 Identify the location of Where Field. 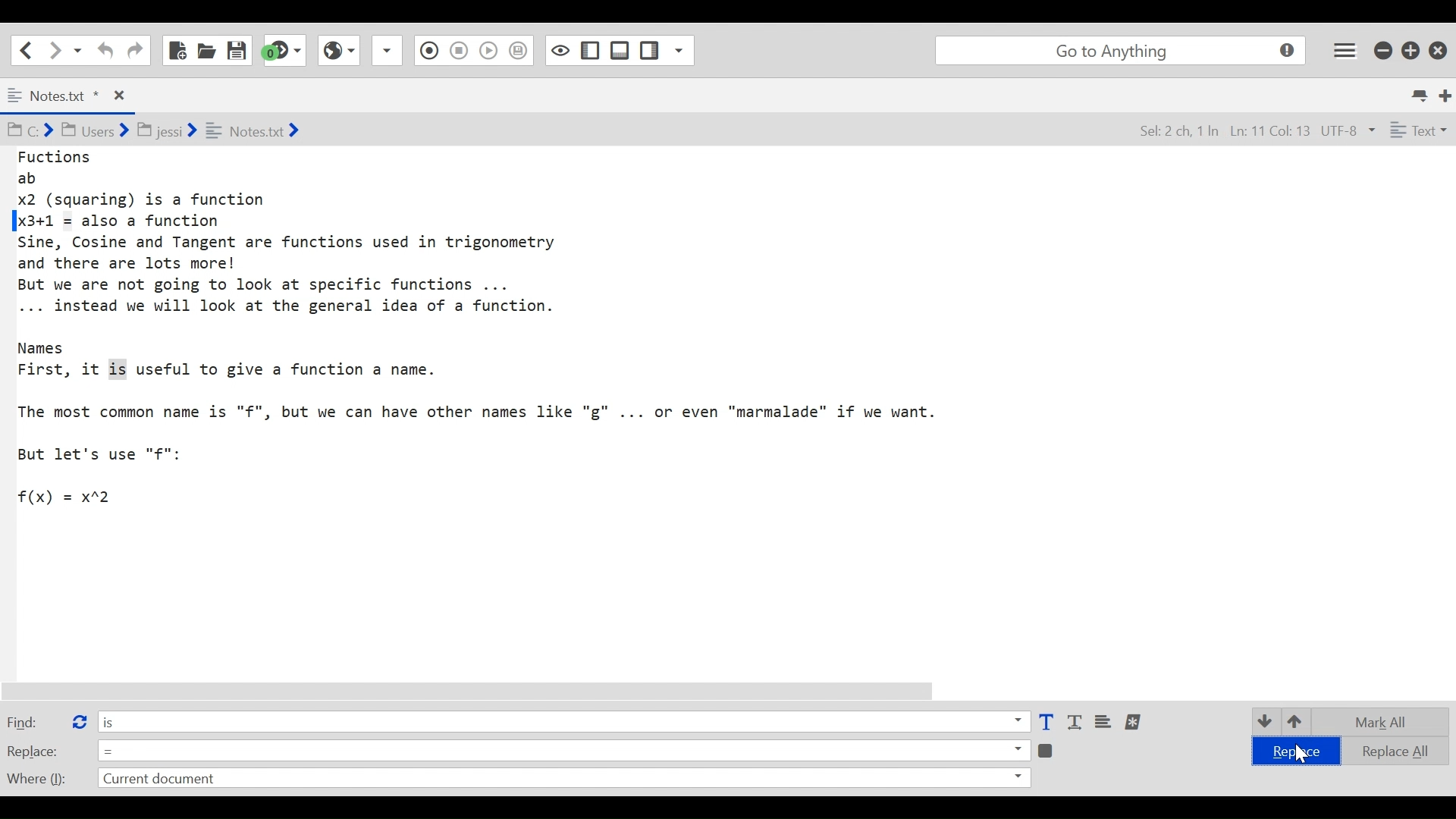
(563, 780).